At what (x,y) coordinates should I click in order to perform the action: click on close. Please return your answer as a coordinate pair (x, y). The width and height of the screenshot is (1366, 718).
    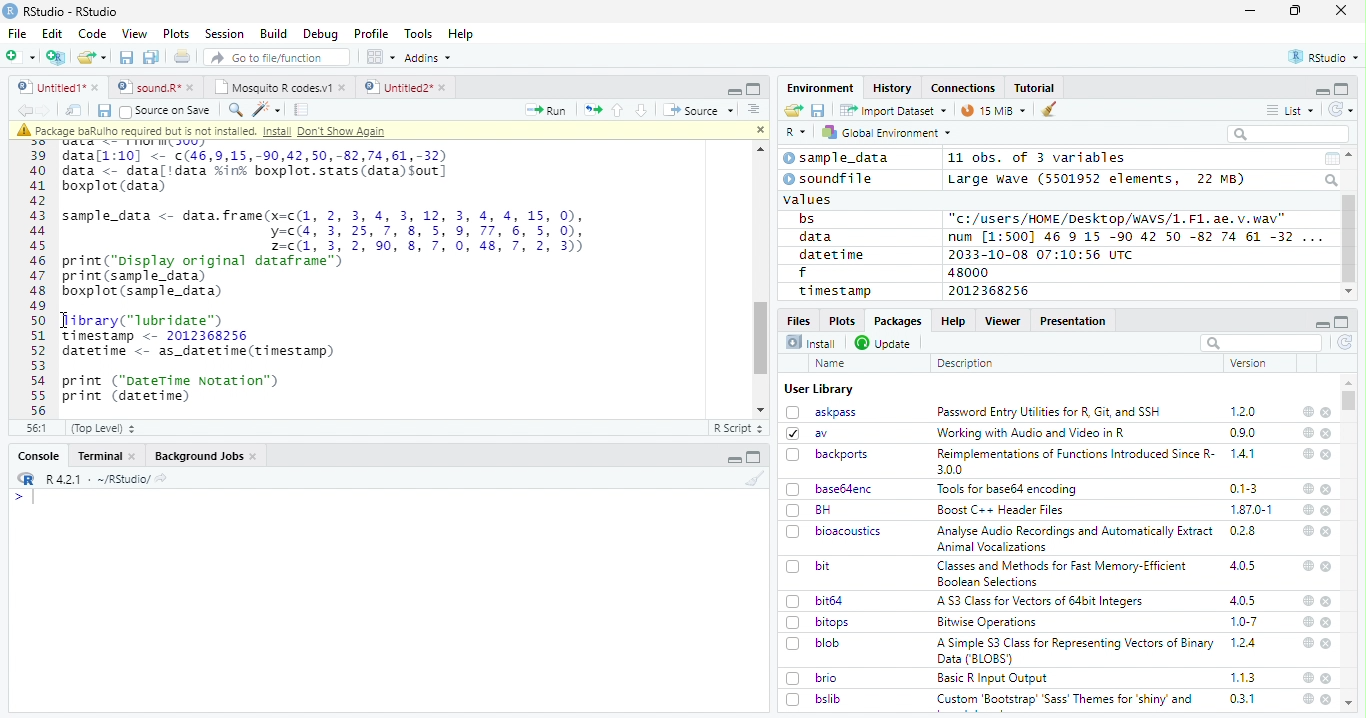
    Looking at the image, I should click on (1326, 413).